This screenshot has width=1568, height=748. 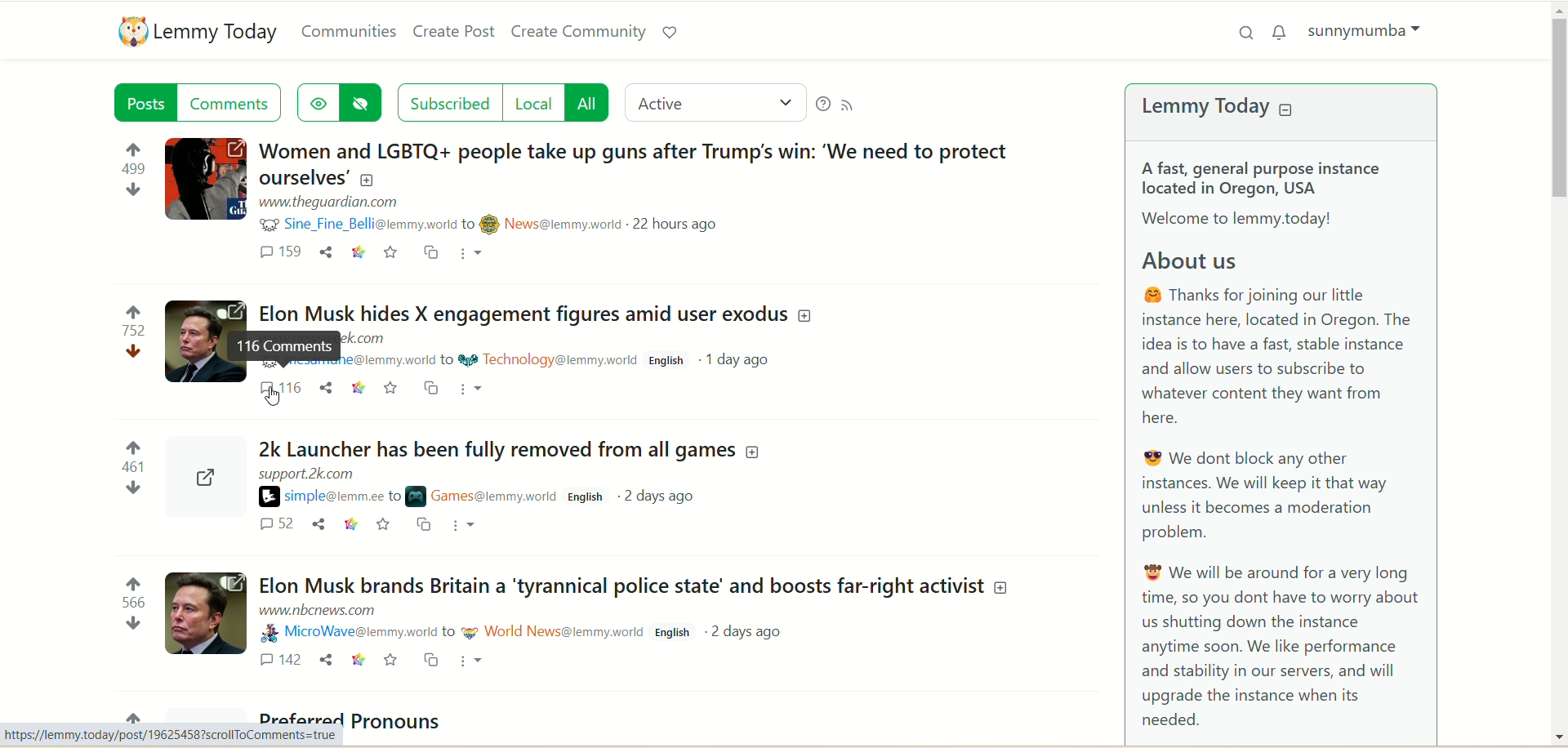 I want to click on Profile, so click(x=207, y=611).